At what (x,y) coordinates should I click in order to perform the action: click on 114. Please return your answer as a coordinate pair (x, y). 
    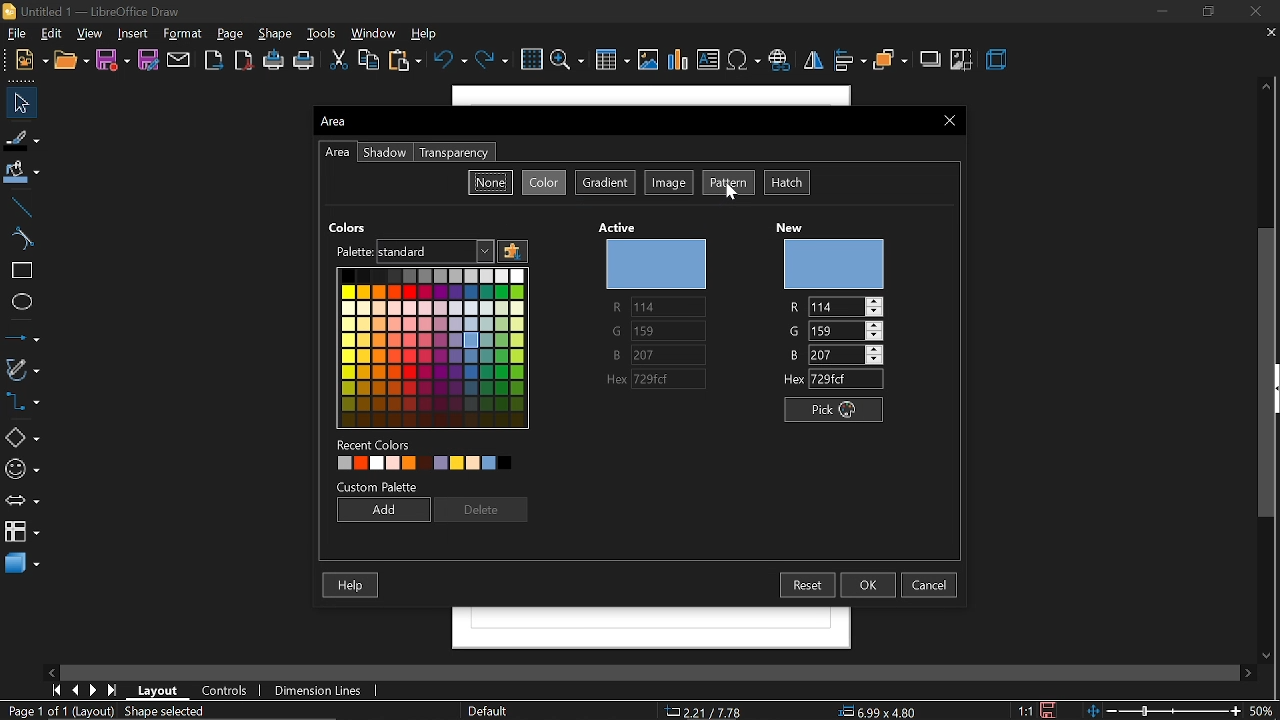
    Looking at the image, I should click on (846, 307).